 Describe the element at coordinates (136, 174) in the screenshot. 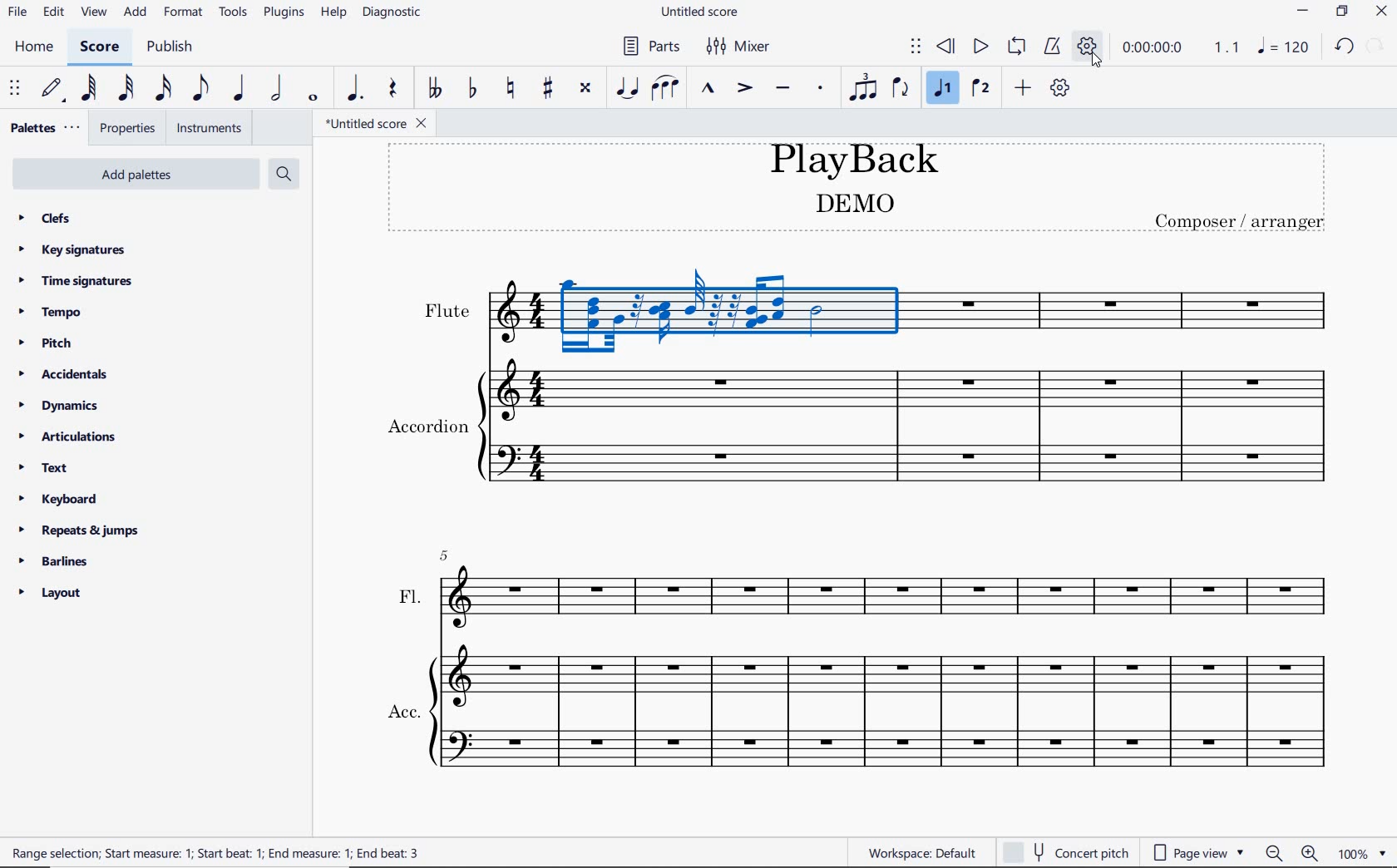

I see `add palettes` at that location.